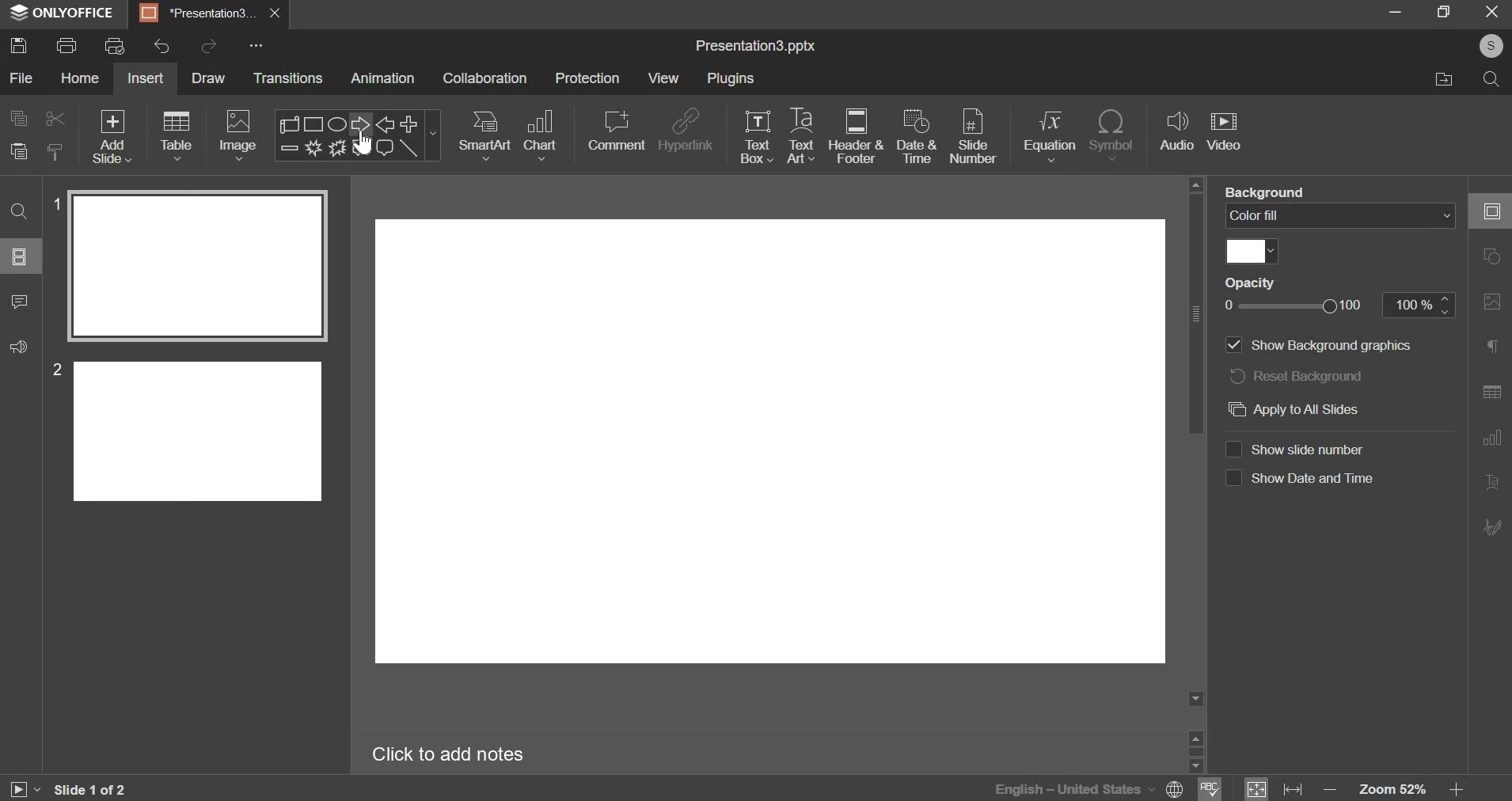 This screenshot has height=801, width=1512. I want to click on hand pointer cursor, so click(363, 143).